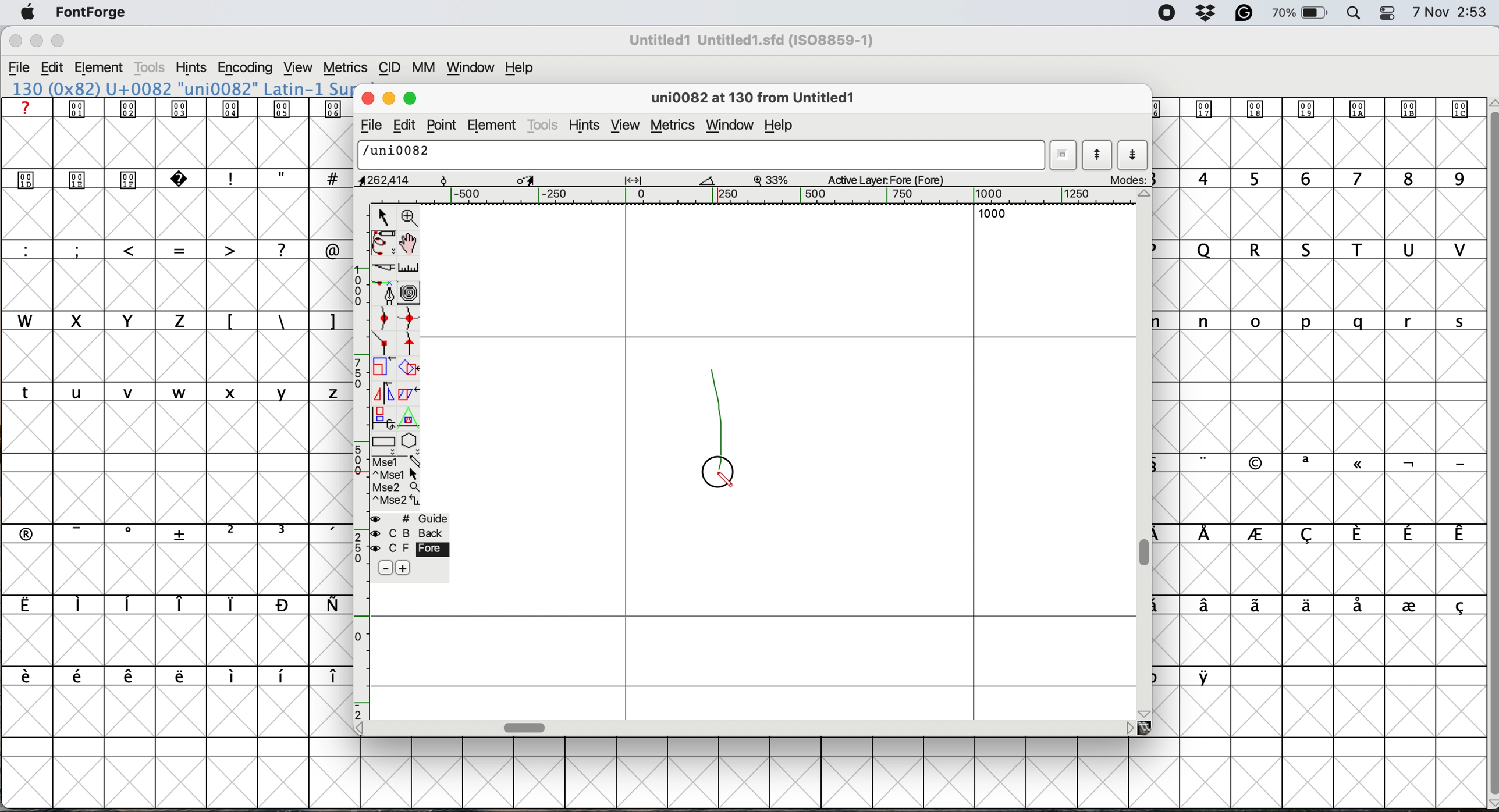 The height and width of the screenshot is (812, 1499). Describe the element at coordinates (391, 69) in the screenshot. I see `cid` at that location.